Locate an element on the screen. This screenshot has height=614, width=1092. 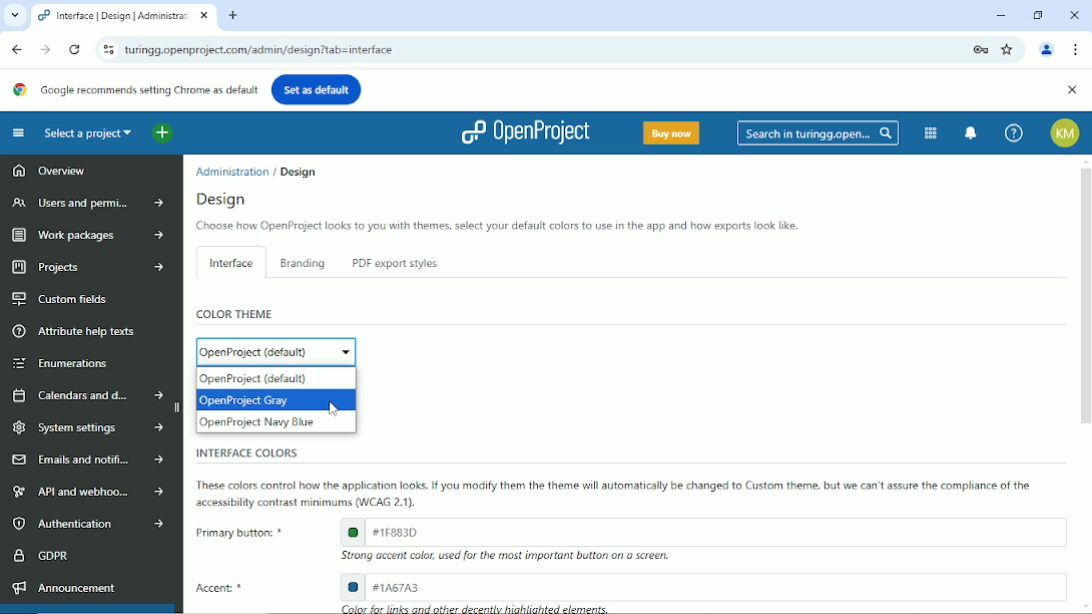
Design is located at coordinates (297, 170).